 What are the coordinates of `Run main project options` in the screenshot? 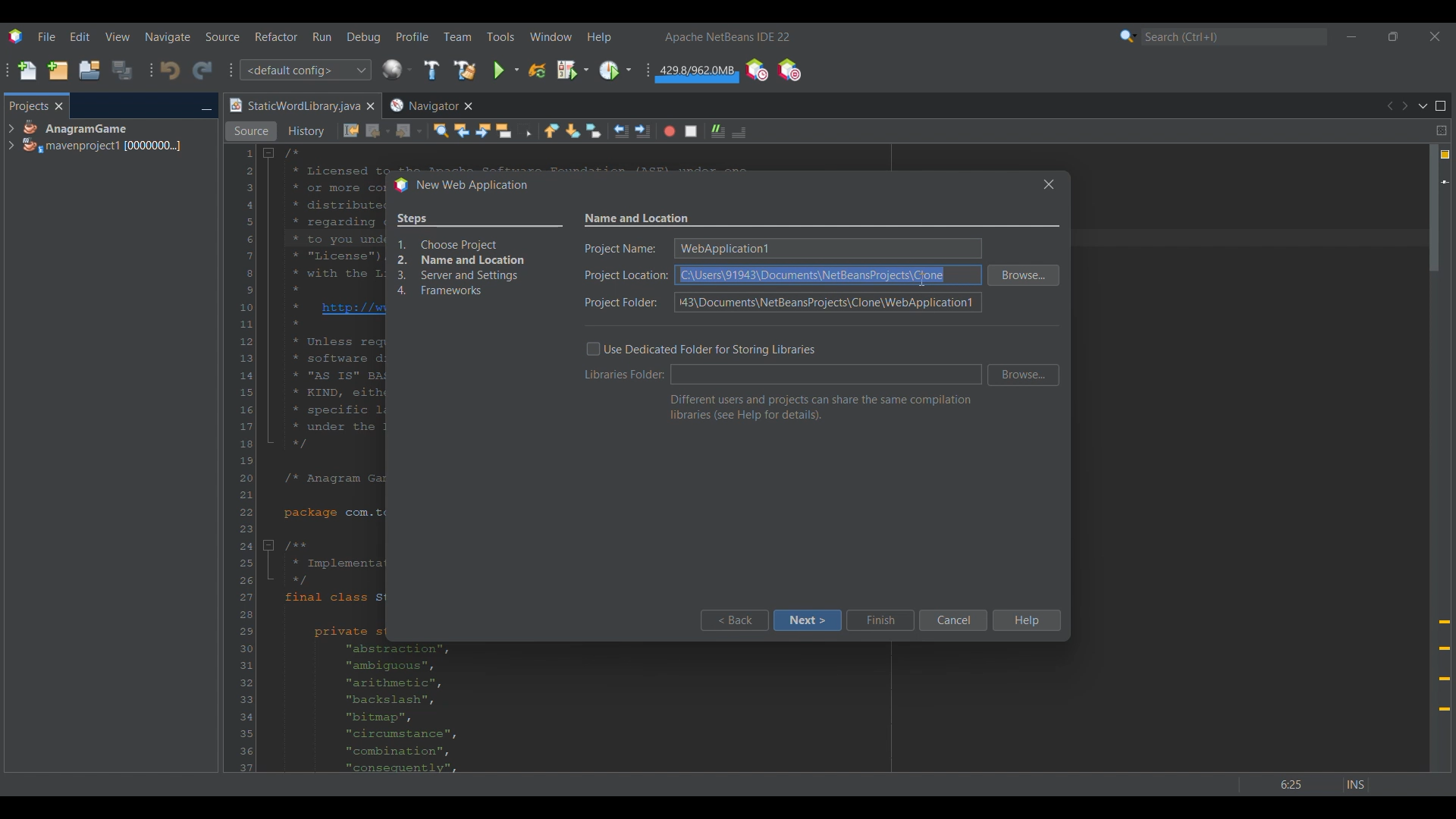 It's located at (507, 70).